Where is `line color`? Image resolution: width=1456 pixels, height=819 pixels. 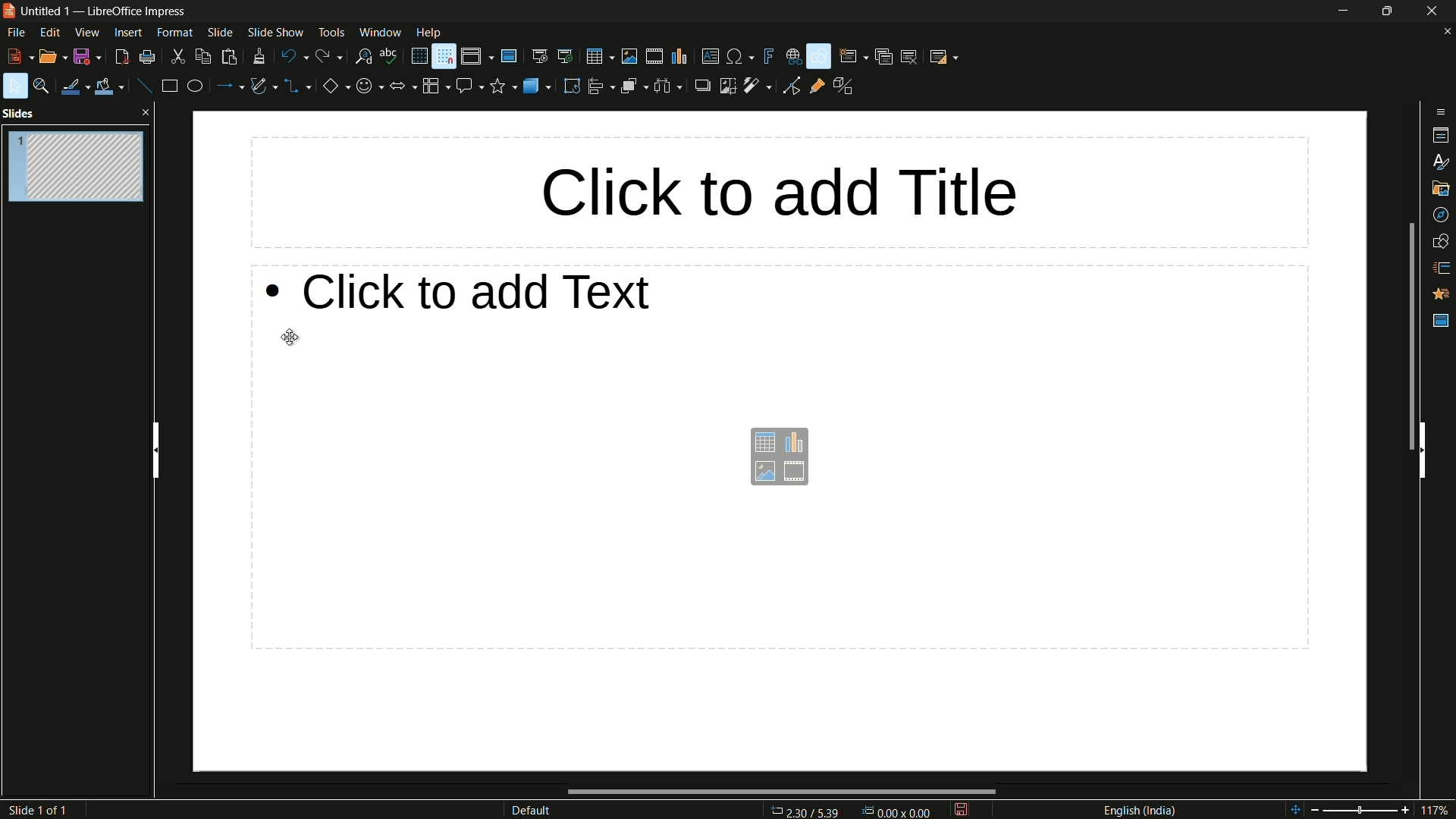 line color is located at coordinates (74, 88).